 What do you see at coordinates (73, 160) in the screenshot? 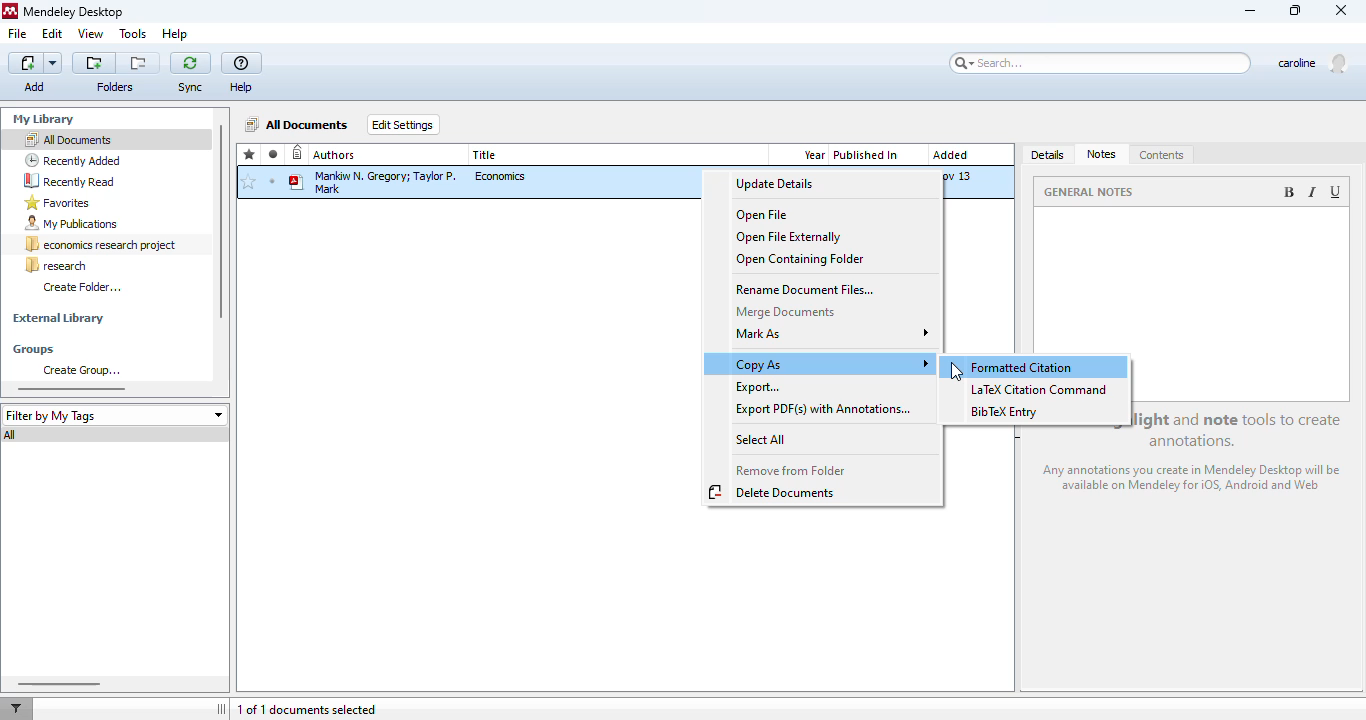
I see `recently added` at bounding box center [73, 160].